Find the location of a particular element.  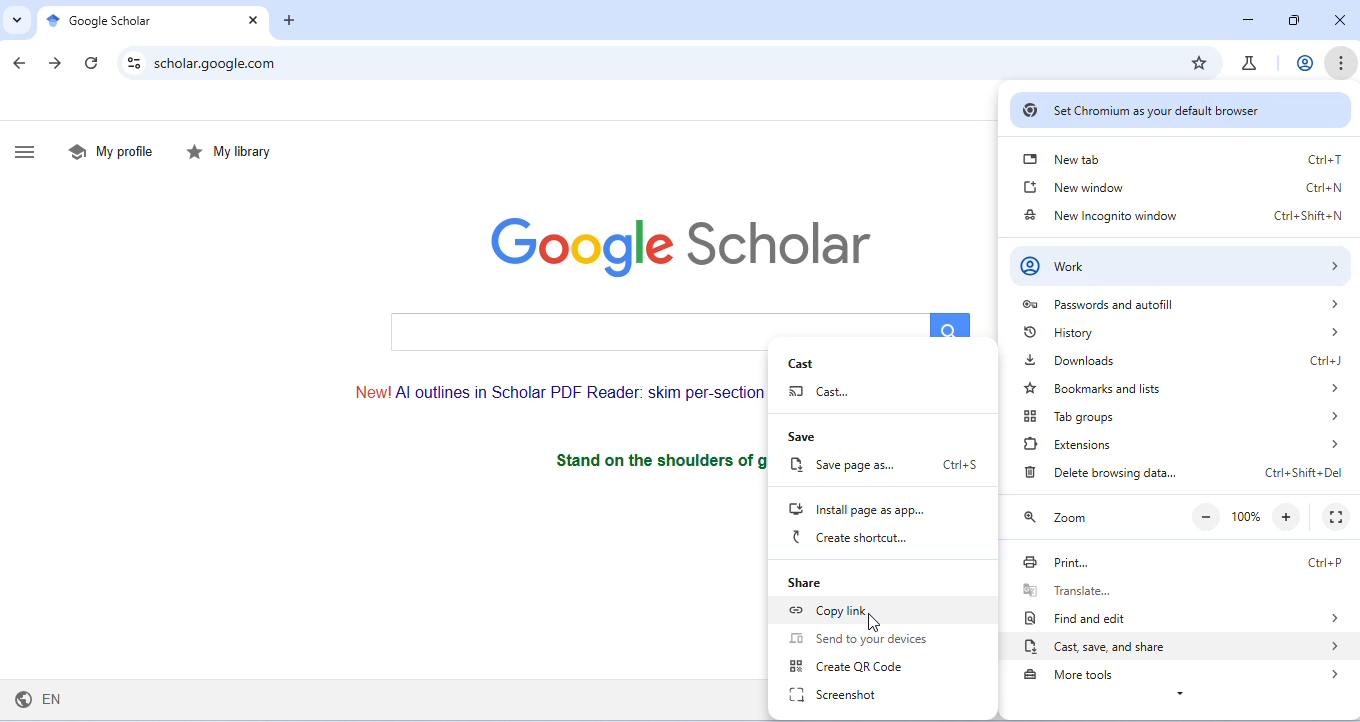

zoom out is located at coordinates (1206, 518).